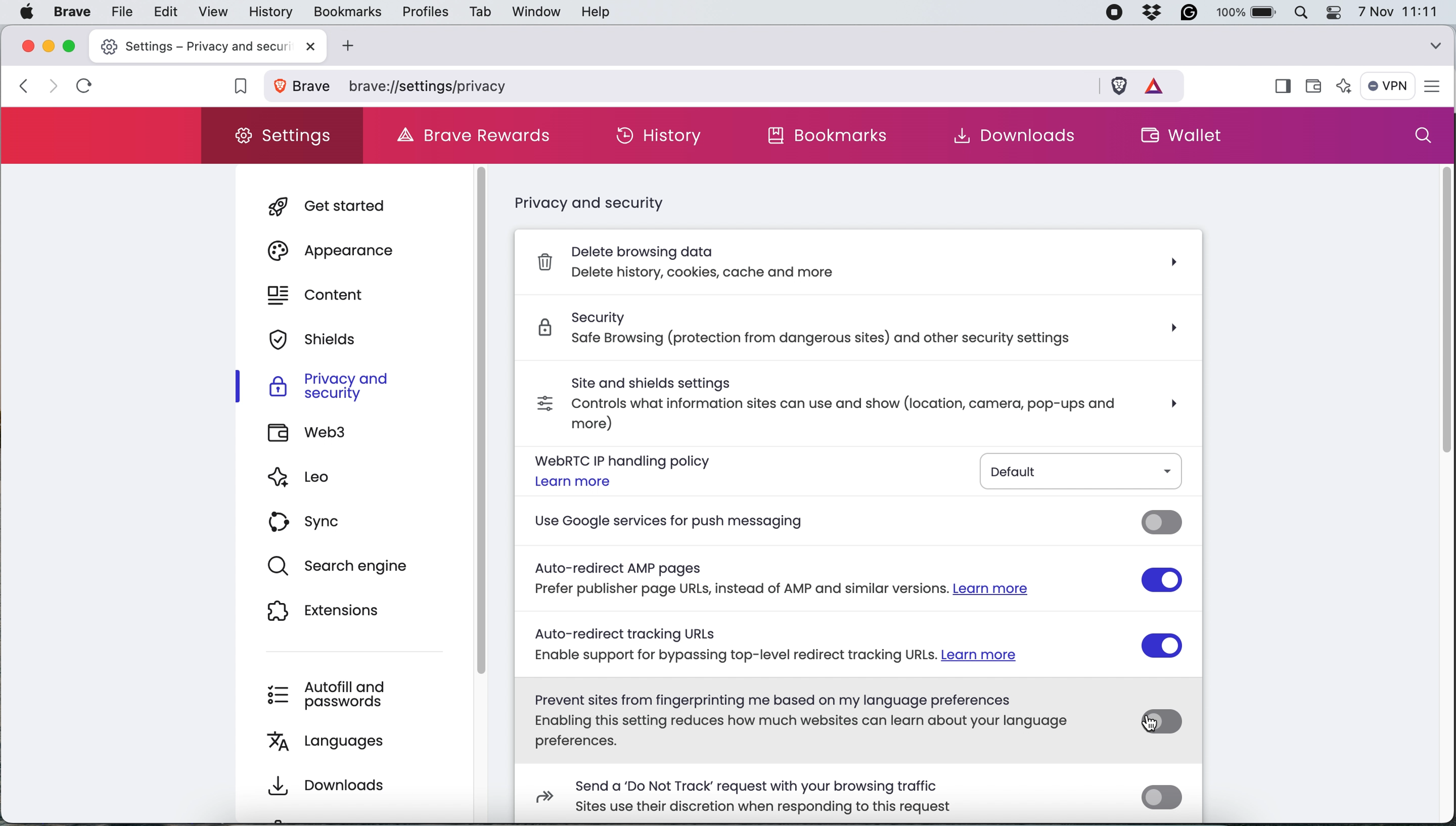 The width and height of the screenshot is (1456, 826). What do you see at coordinates (1200, 138) in the screenshot?
I see `wallet` at bounding box center [1200, 138].